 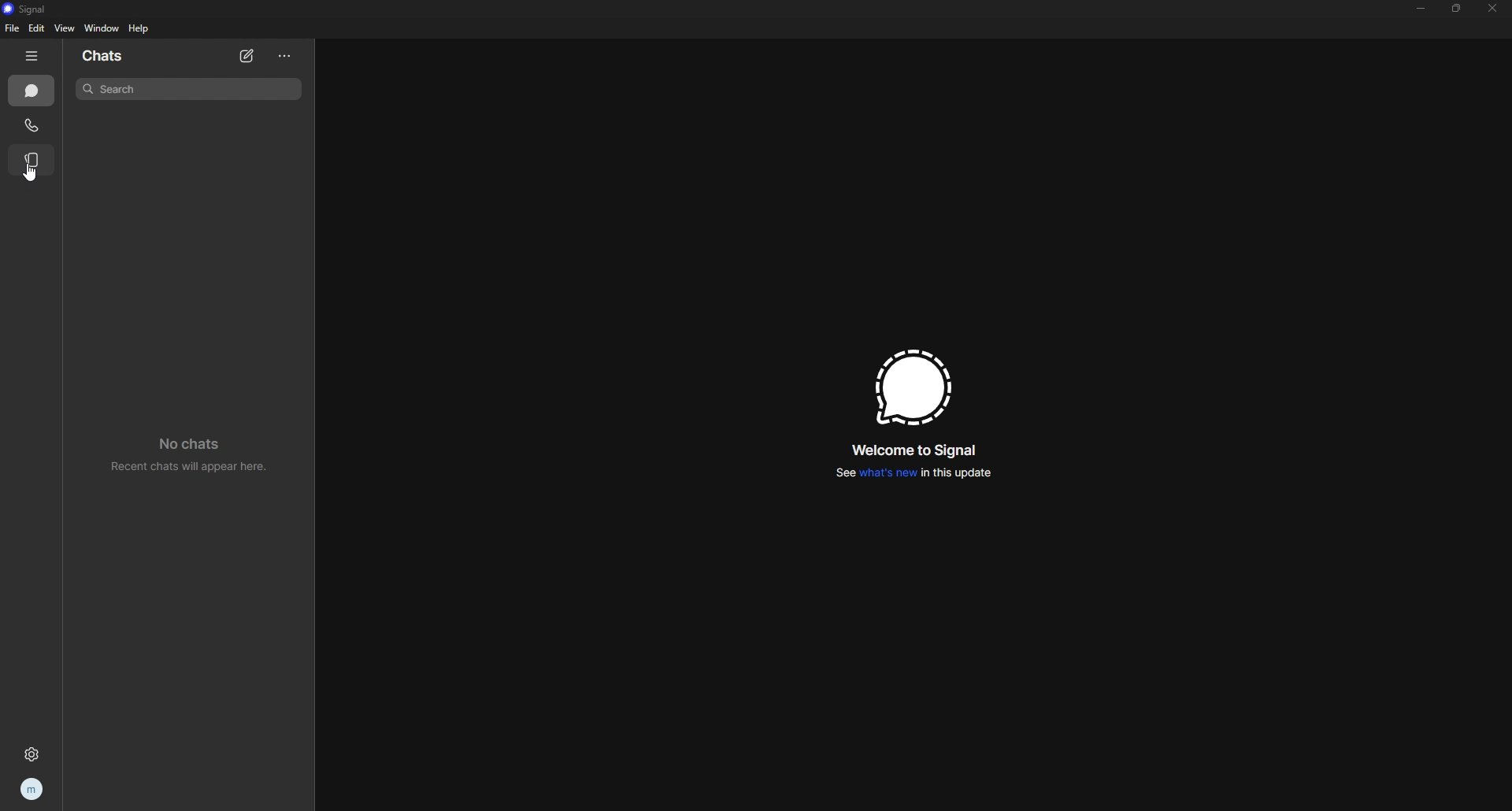 I want to click on chats, so click(x=31, y=91).